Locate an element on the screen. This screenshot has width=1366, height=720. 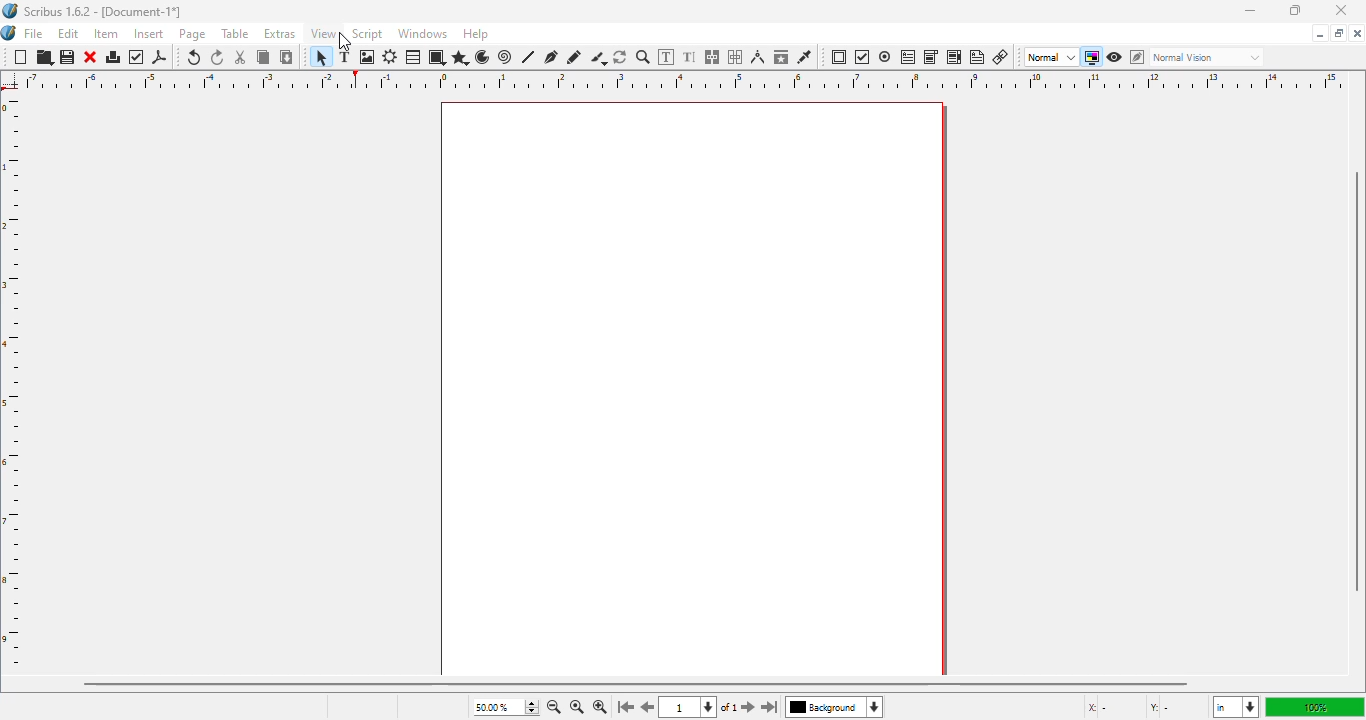
edit in preview mode is located at coordinates (1137, 57).